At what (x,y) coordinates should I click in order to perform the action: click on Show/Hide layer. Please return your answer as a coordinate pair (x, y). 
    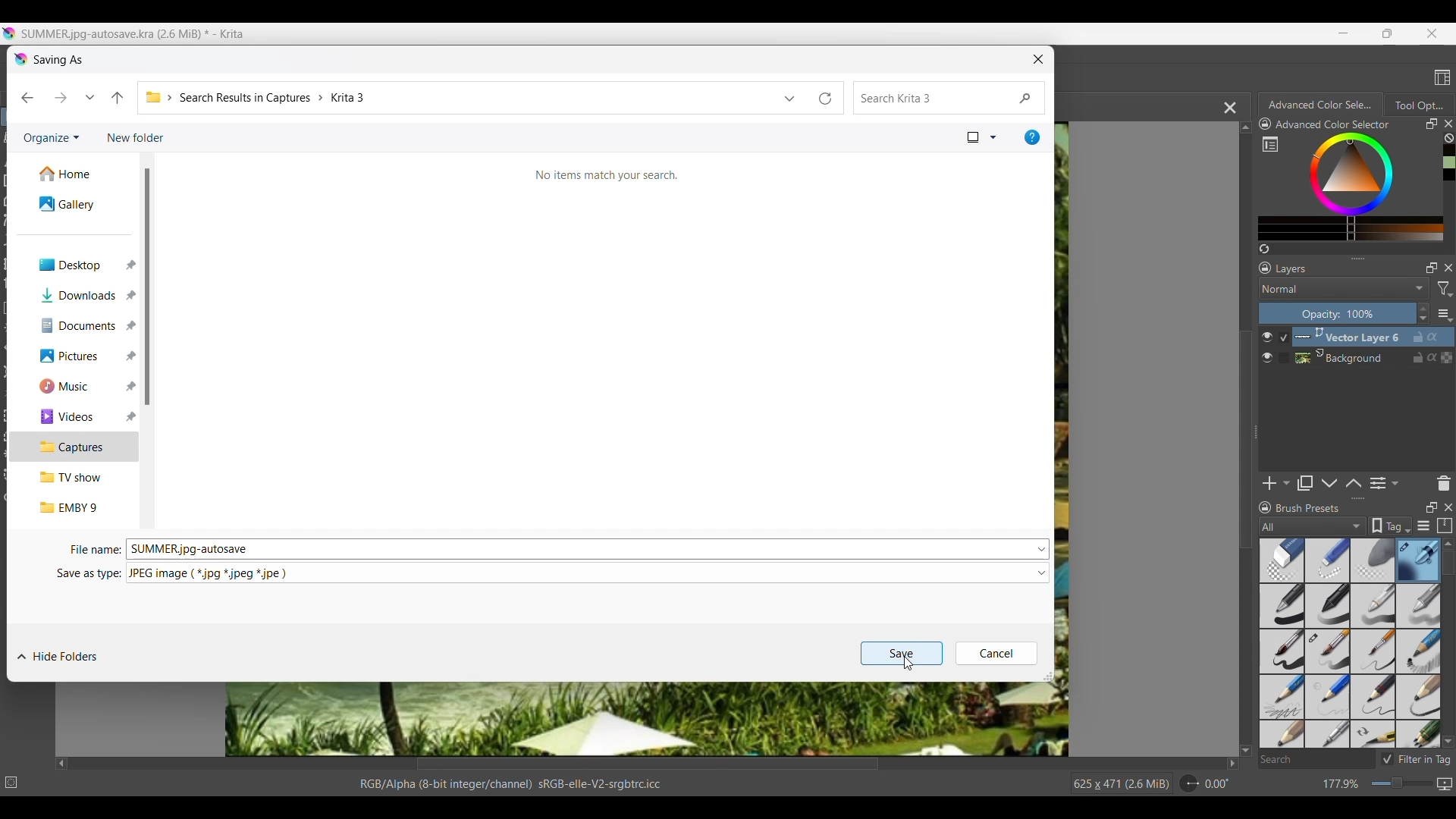
    Looking at the image, I should click on (1267, 347).